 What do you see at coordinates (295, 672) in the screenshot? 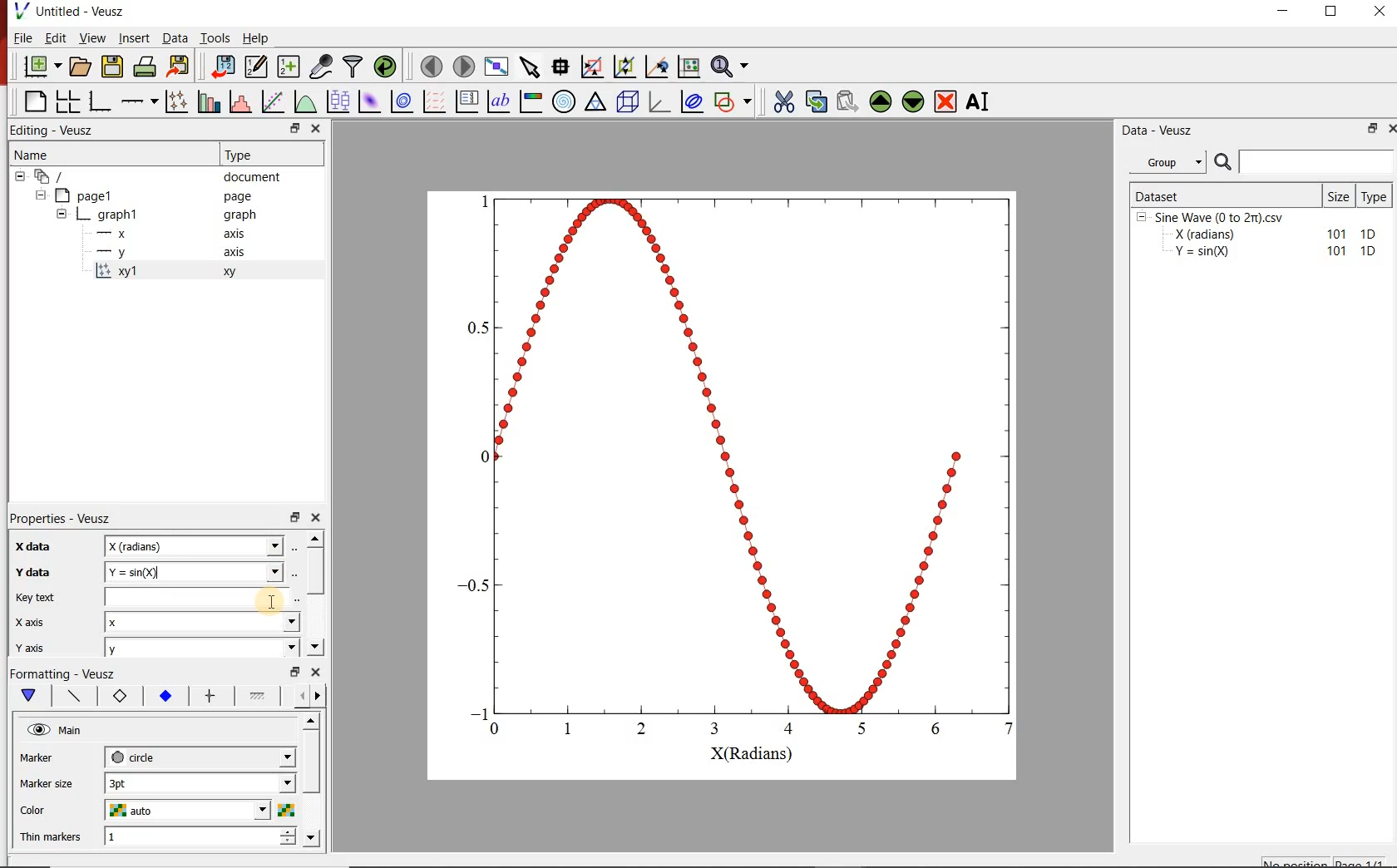
I see `Min/Max` at bounding box center [295, 672].